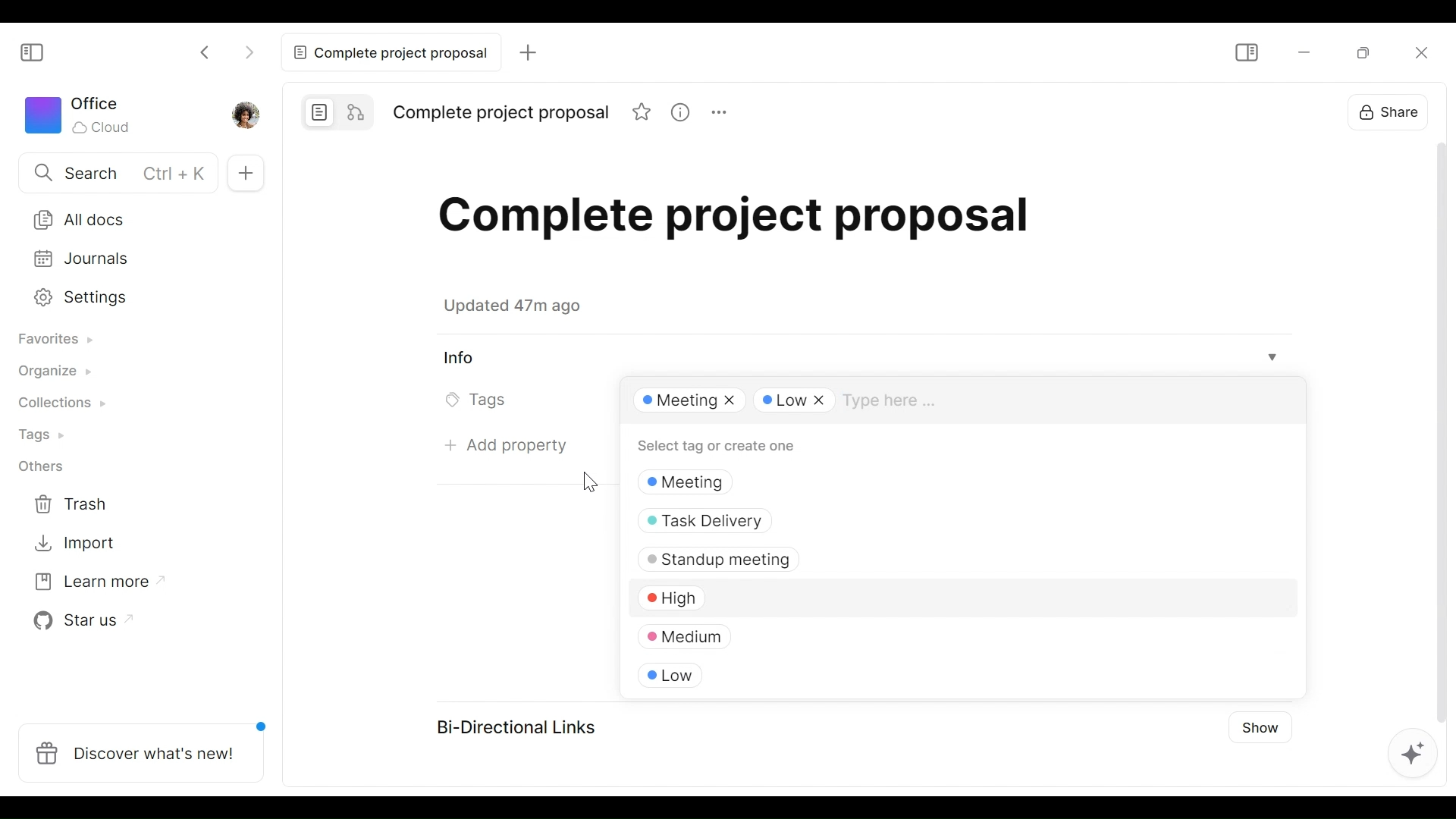 Image resolution: width=1456 pixels, height=819 pixels. I want to click on Updated 47m ago, so click(521, 309).